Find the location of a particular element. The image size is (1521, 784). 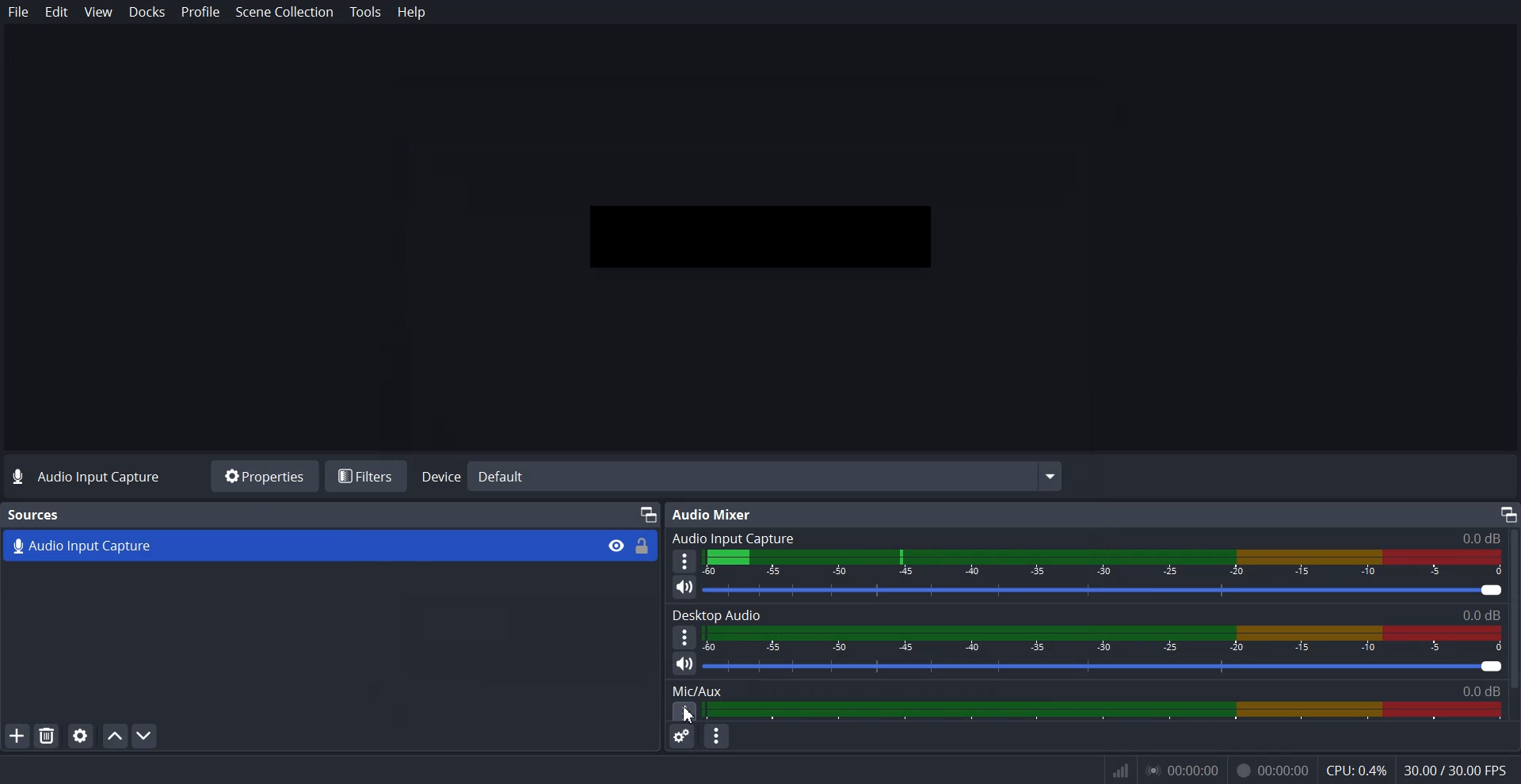

Volume Indicator is located at coordinates (1106, 639).